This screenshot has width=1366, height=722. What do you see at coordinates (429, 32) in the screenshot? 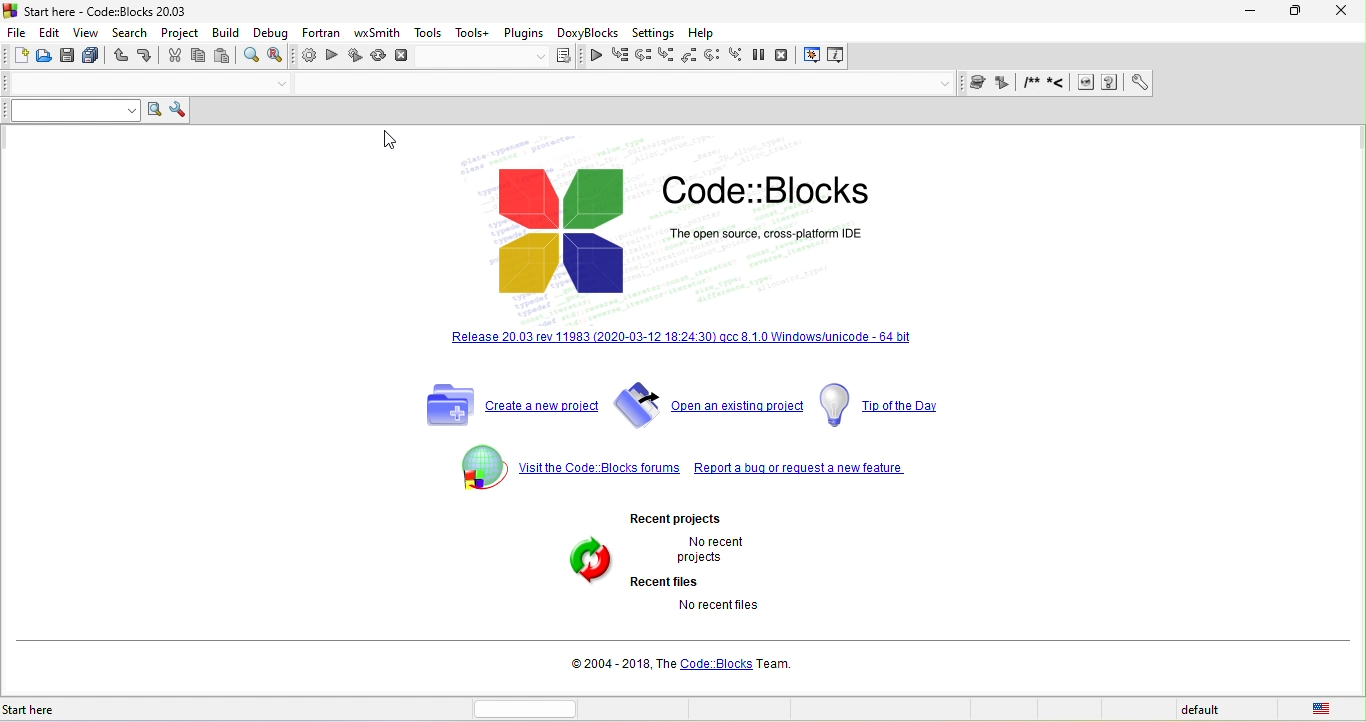
I see `tools` at bounding box center [429, 32].